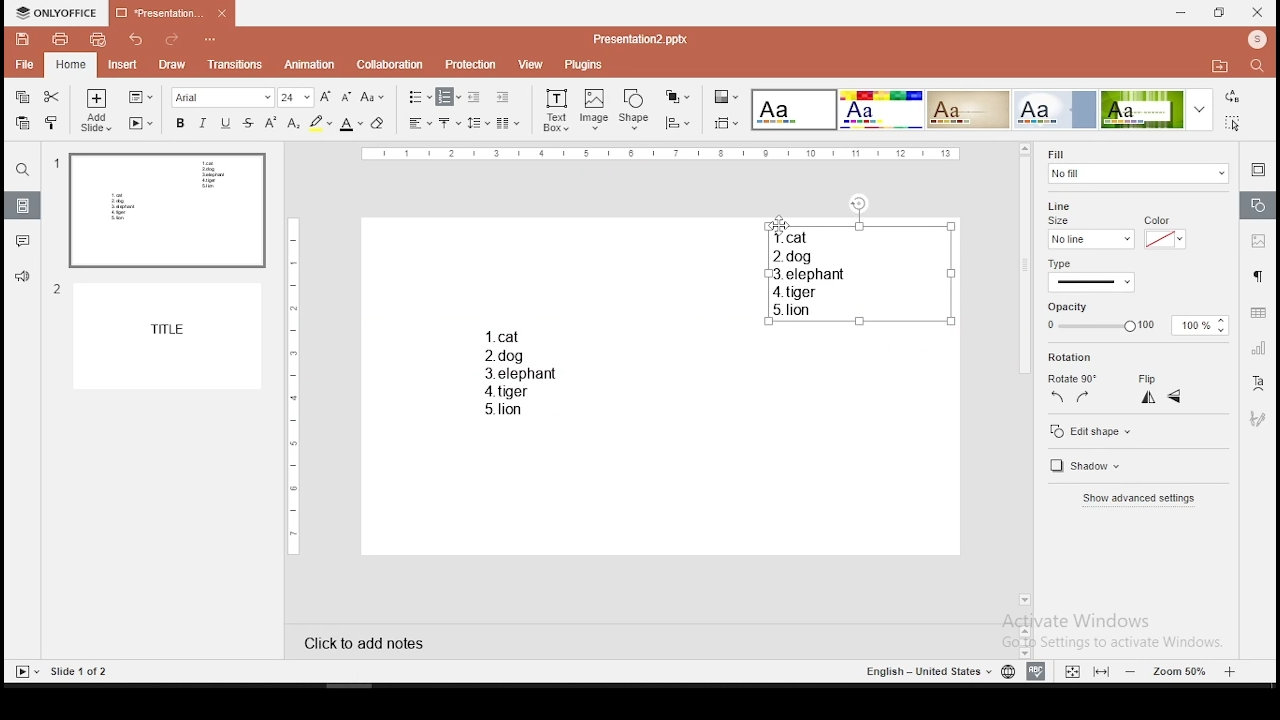  What do you see at coordinates (472, 63) in the screenshot?
I see `protection` at bounding box center [472, 63].